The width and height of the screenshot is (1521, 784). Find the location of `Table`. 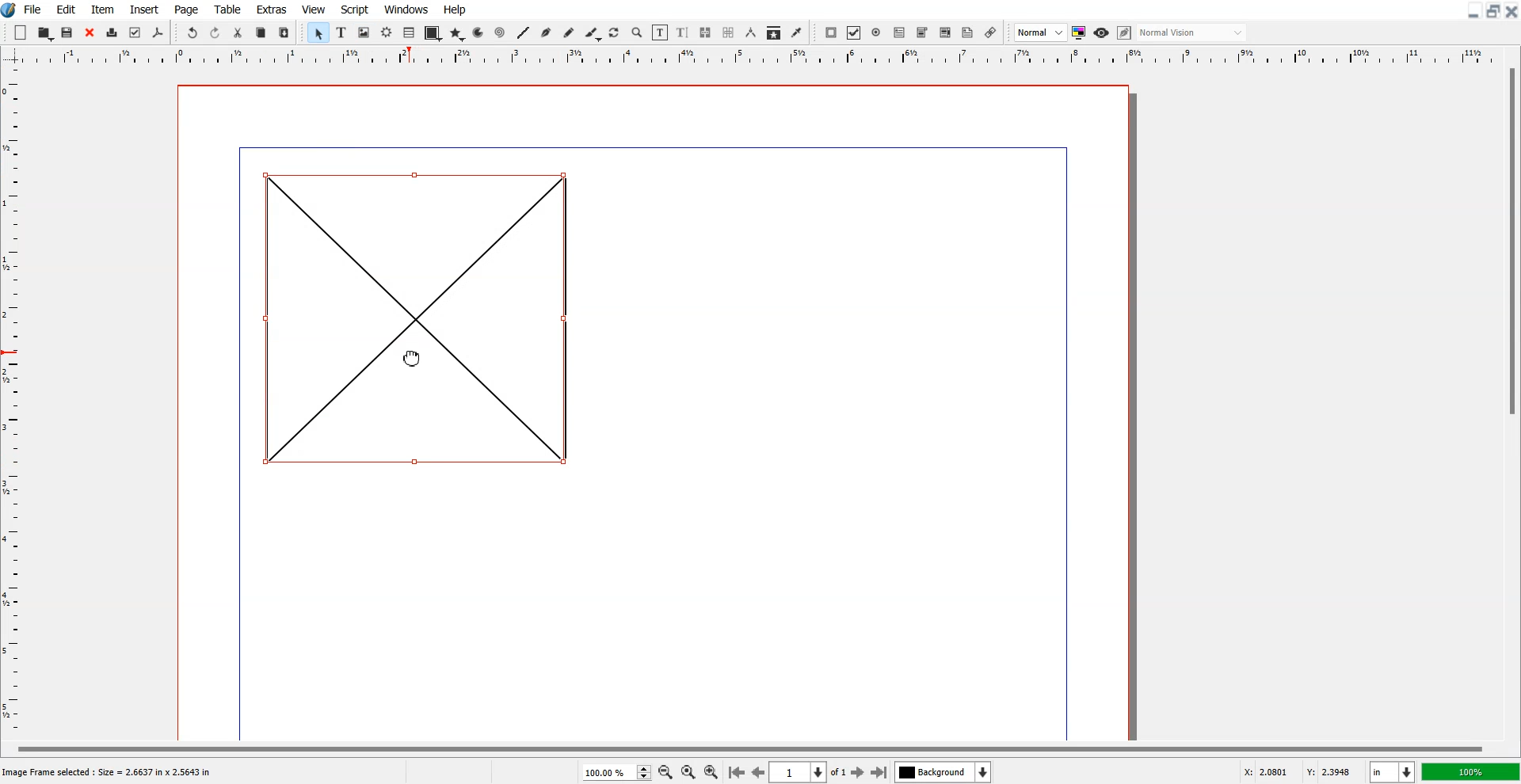

Table is located at coordinates (409, 33).